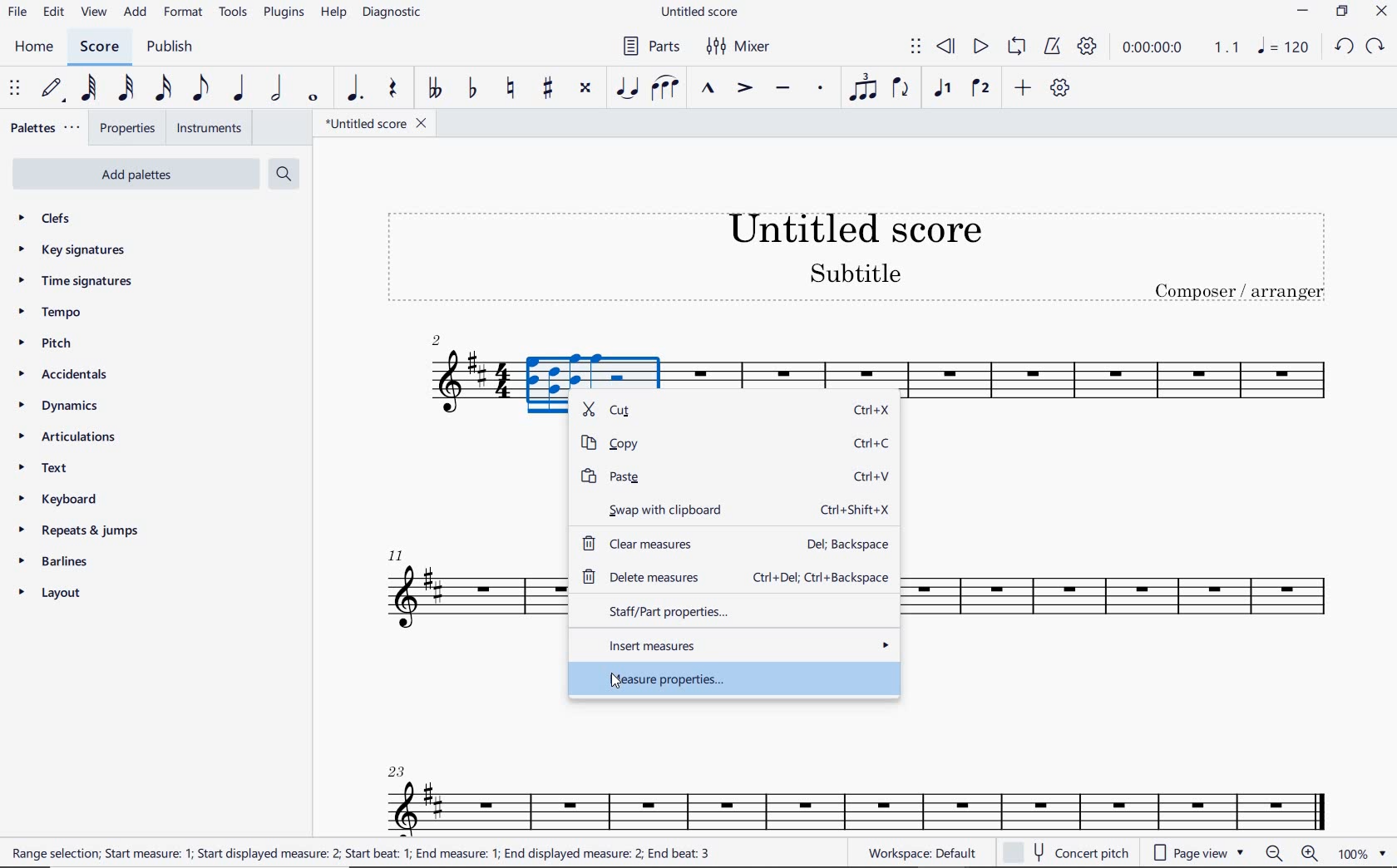 The width and height of the screenshot is (1397, 868). What do you see at coordinates (393, 91) in the screenshot?
I see `REST` at bounding box center [393, 91].